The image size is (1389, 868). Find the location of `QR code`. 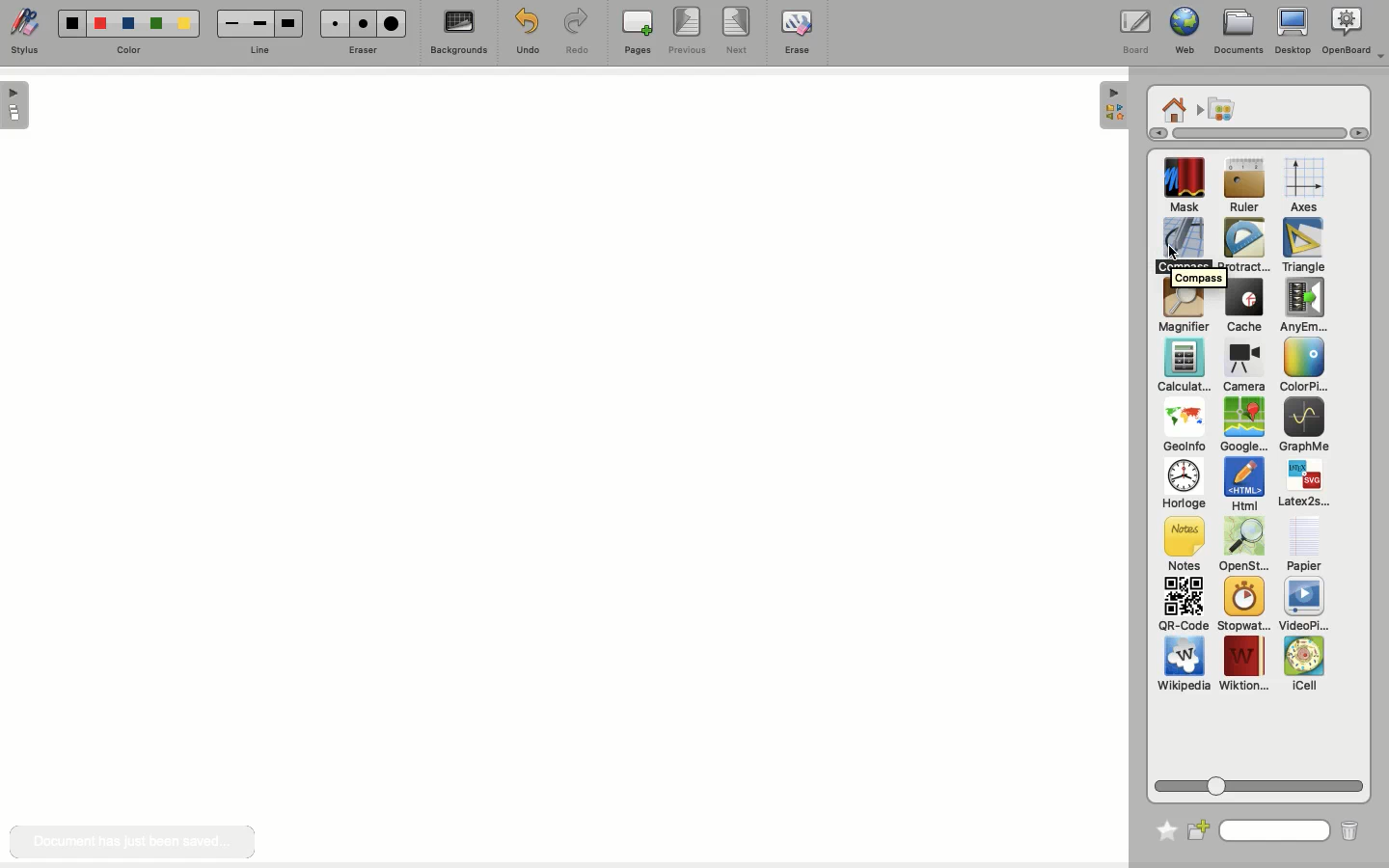

QR code is located at coordinates (1183, 607).